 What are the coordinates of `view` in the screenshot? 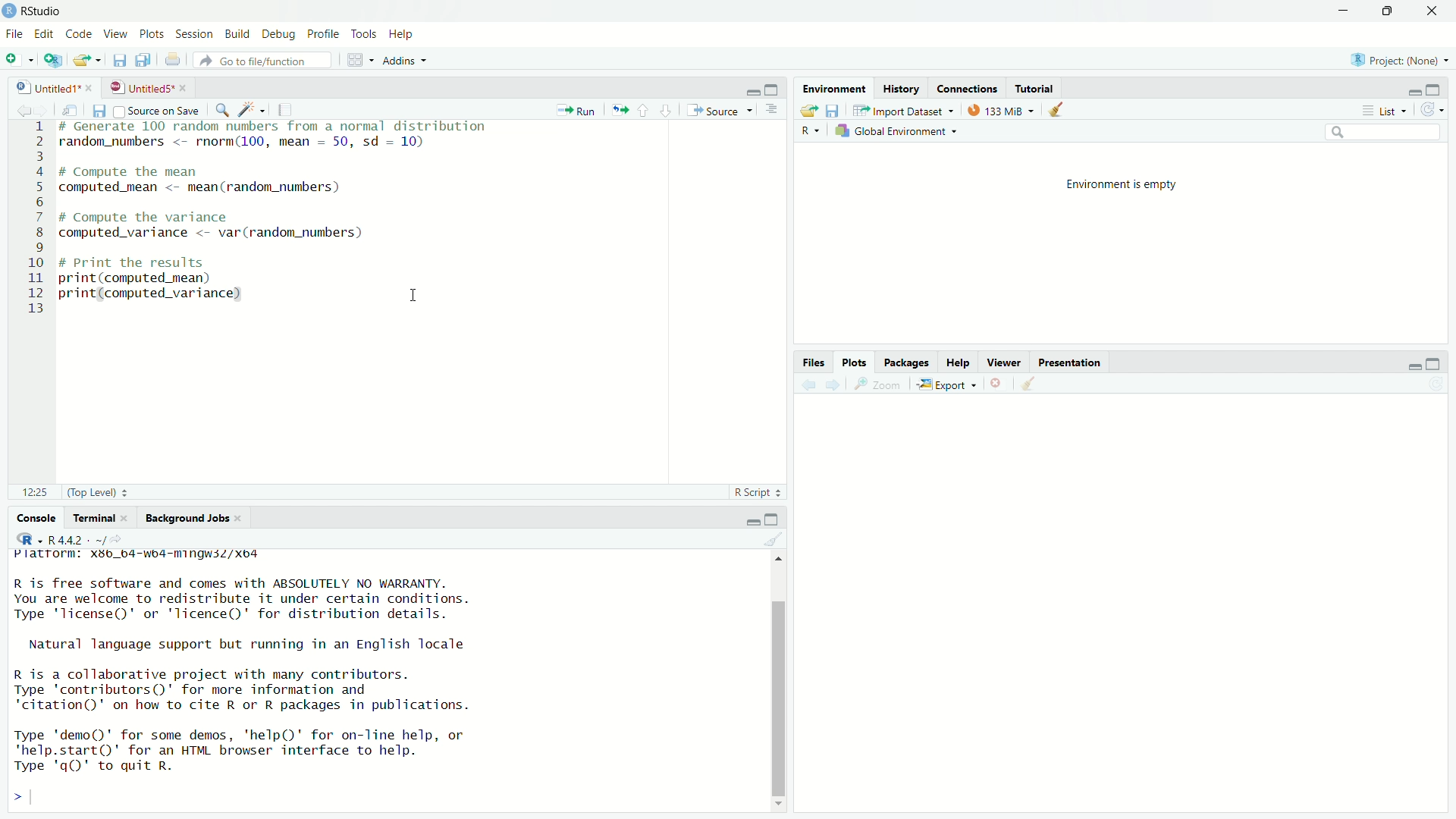 It's located at (118, 35).